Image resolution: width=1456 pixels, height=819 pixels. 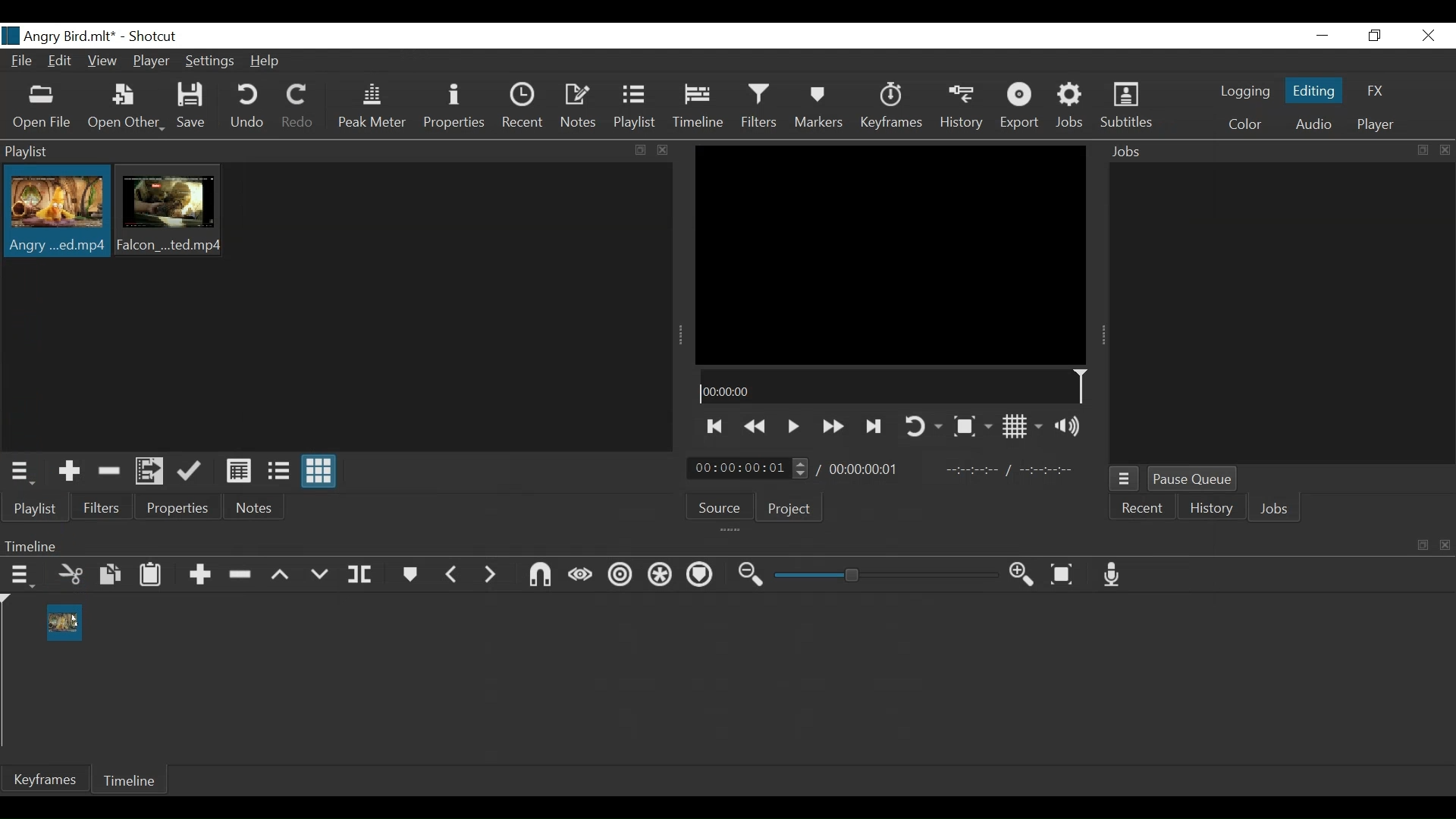 I want to click on Toggle player looping, so click(x=924, y=427).